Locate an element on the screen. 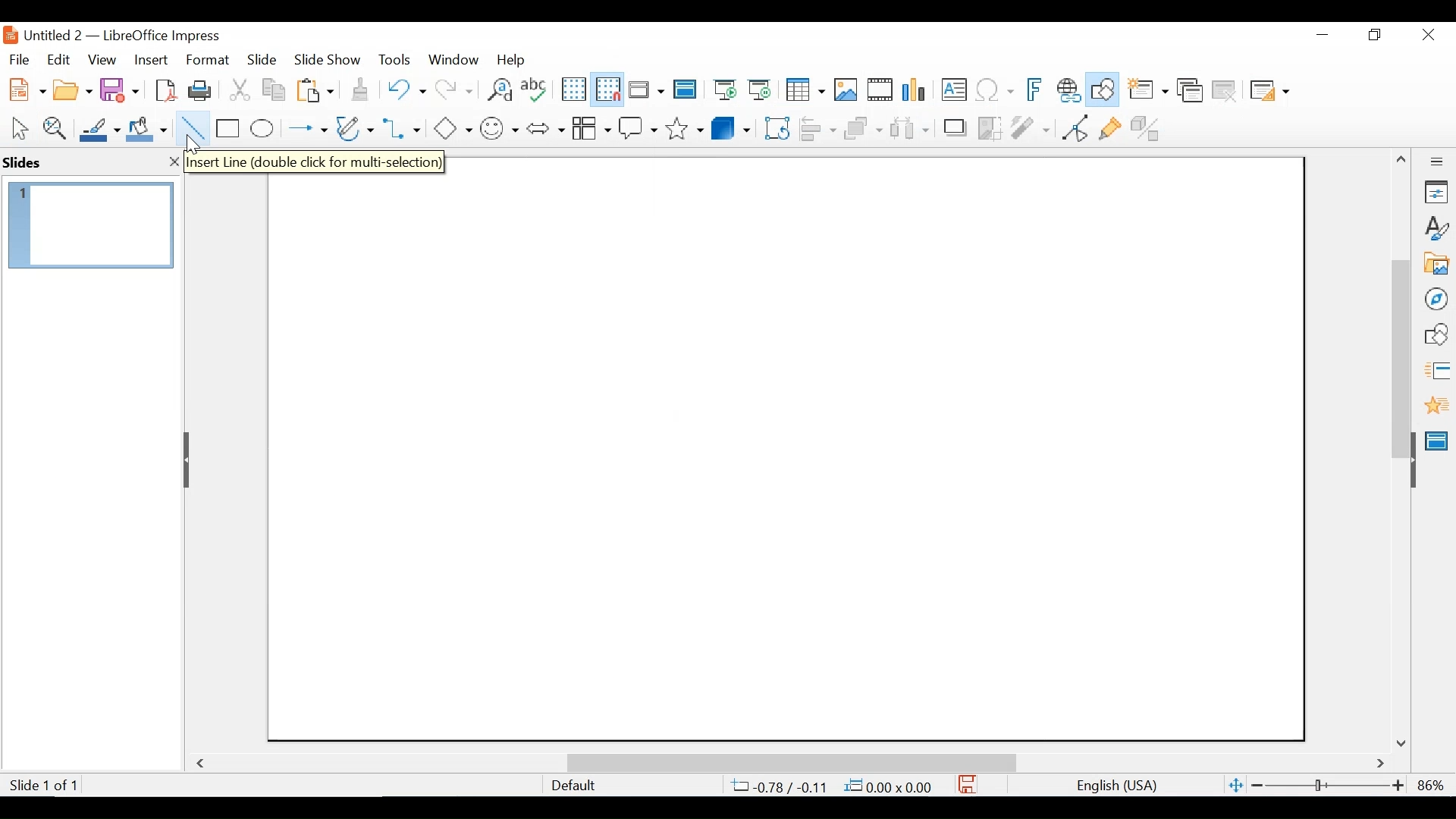  Rectangle is located at coordinates (229, 129).